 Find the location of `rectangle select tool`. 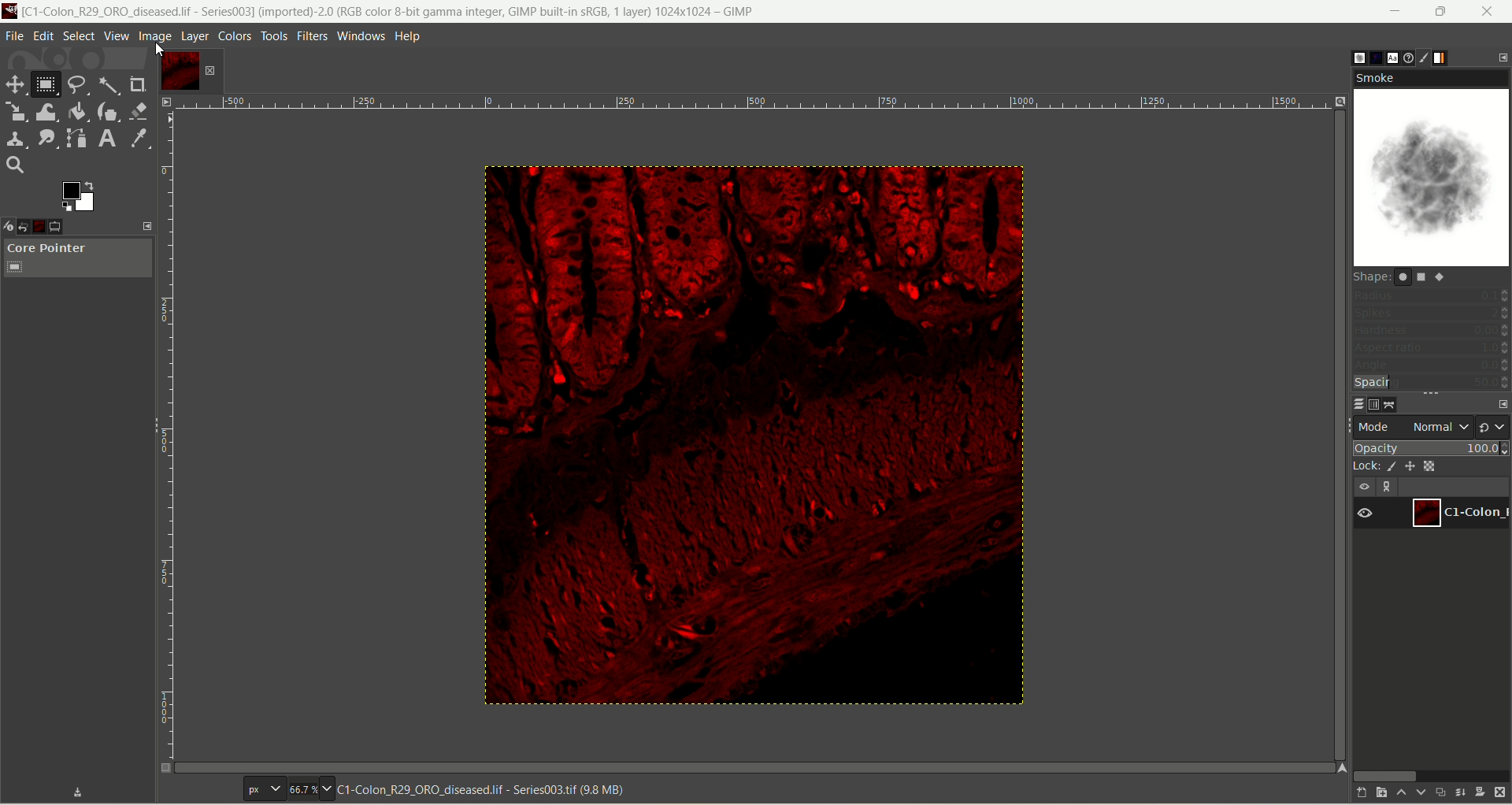

rectangle select tool is located at coordinates (50, 83).